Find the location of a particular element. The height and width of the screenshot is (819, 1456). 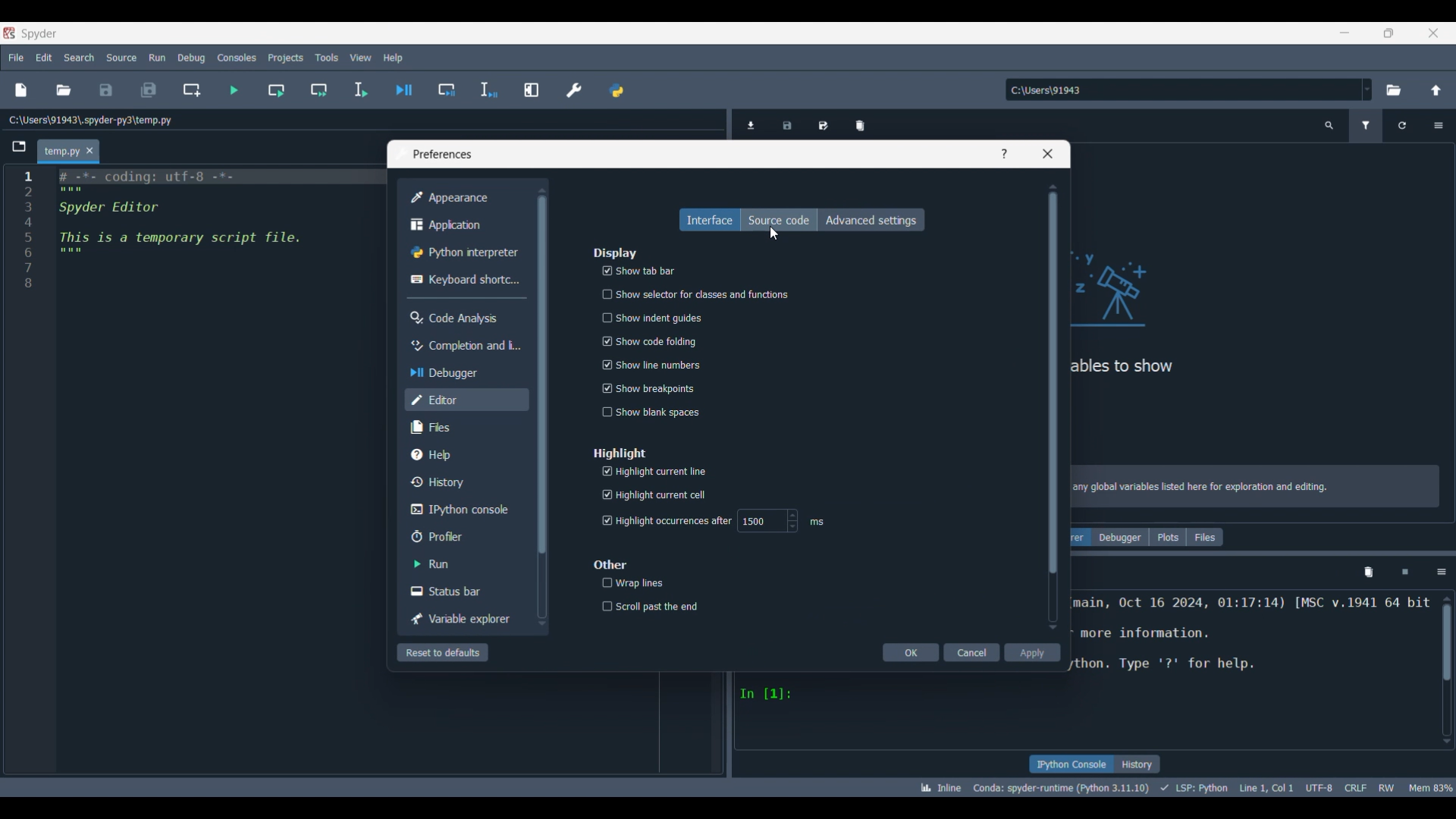

Keyboard shortcuts is located at coordinates (465, 281).